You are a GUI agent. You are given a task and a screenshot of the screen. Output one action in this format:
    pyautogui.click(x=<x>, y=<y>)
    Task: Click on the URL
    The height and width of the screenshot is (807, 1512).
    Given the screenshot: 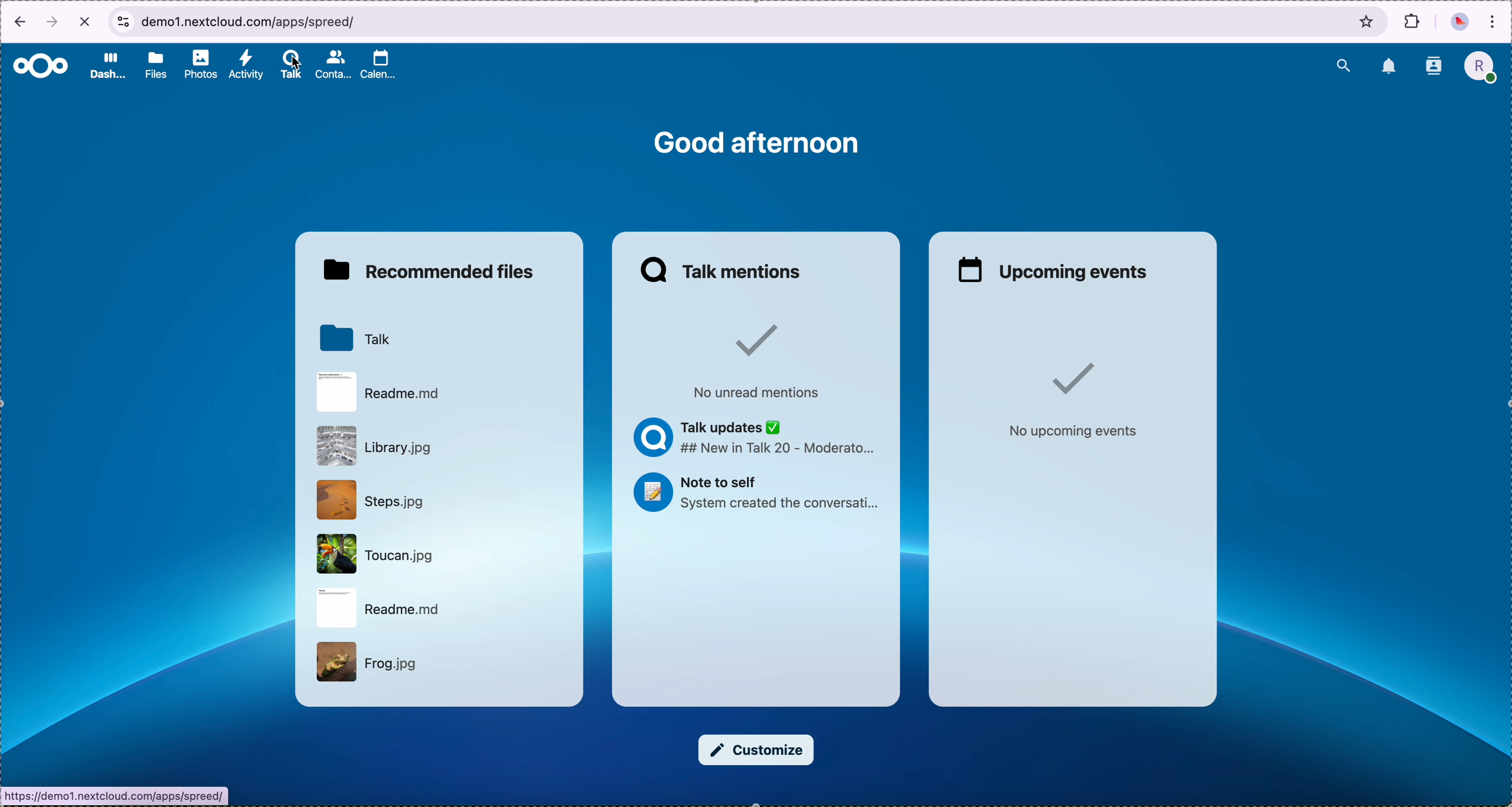 What is the action you would take?
    pyautogui.click(x=116, y=795)
    